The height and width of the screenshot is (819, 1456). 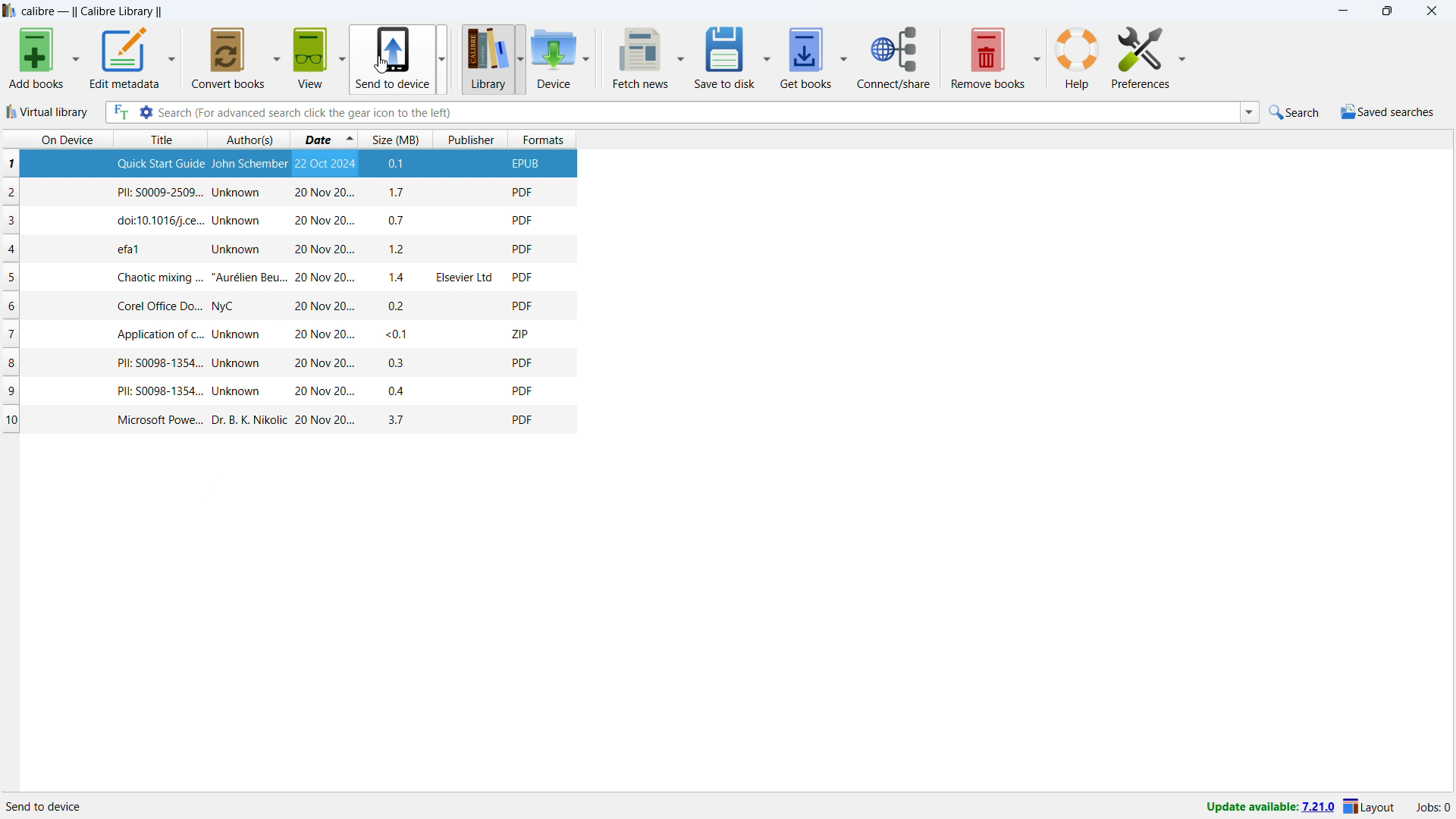 What do you see at coordinates (286, 165) in the screenshot?
I see `selected book` at bounding box center [286, 165].